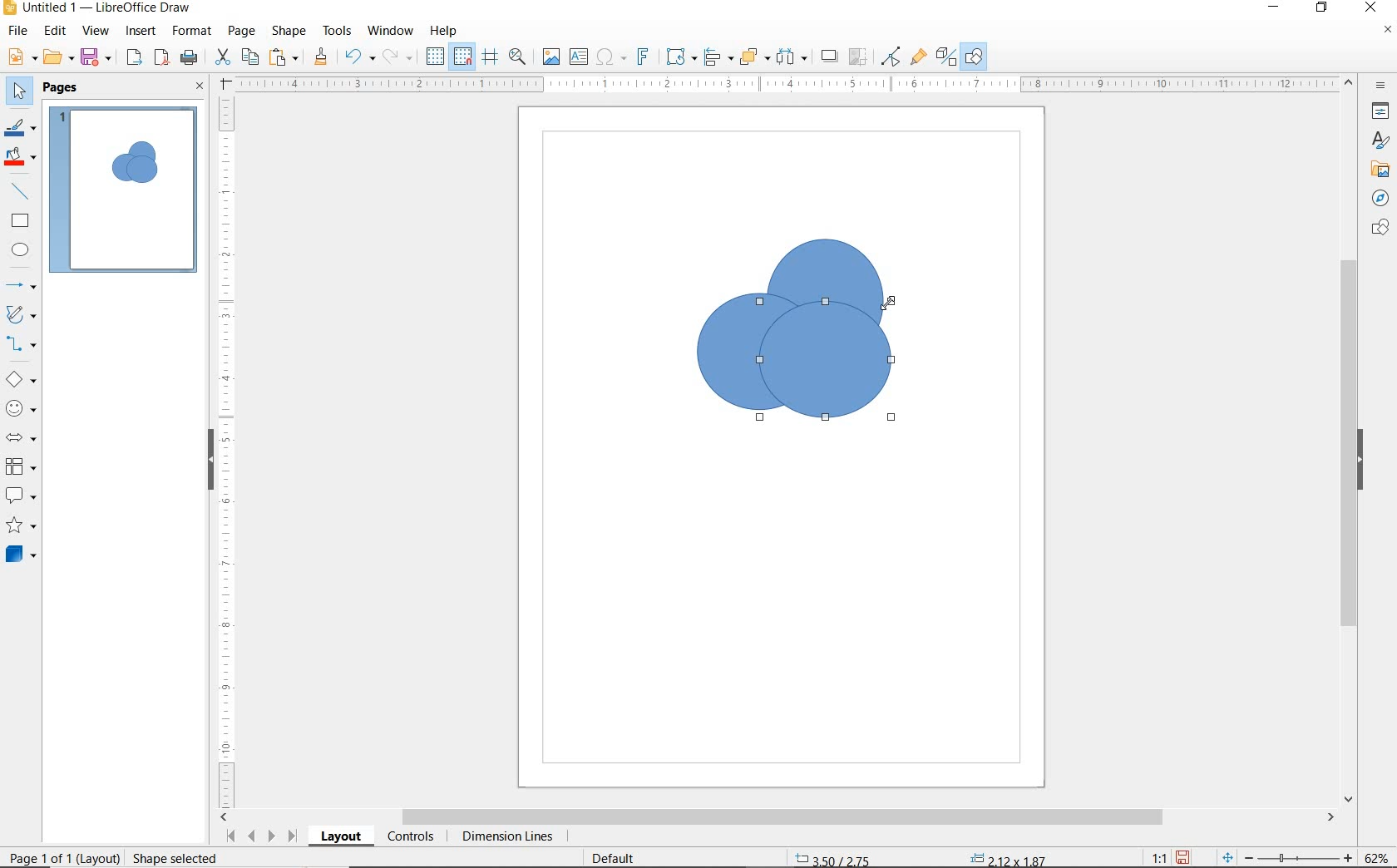  What do you see at coordinates (96, 32) in the screenshot?
I see `VIEW` at bounding box center [96, 32].